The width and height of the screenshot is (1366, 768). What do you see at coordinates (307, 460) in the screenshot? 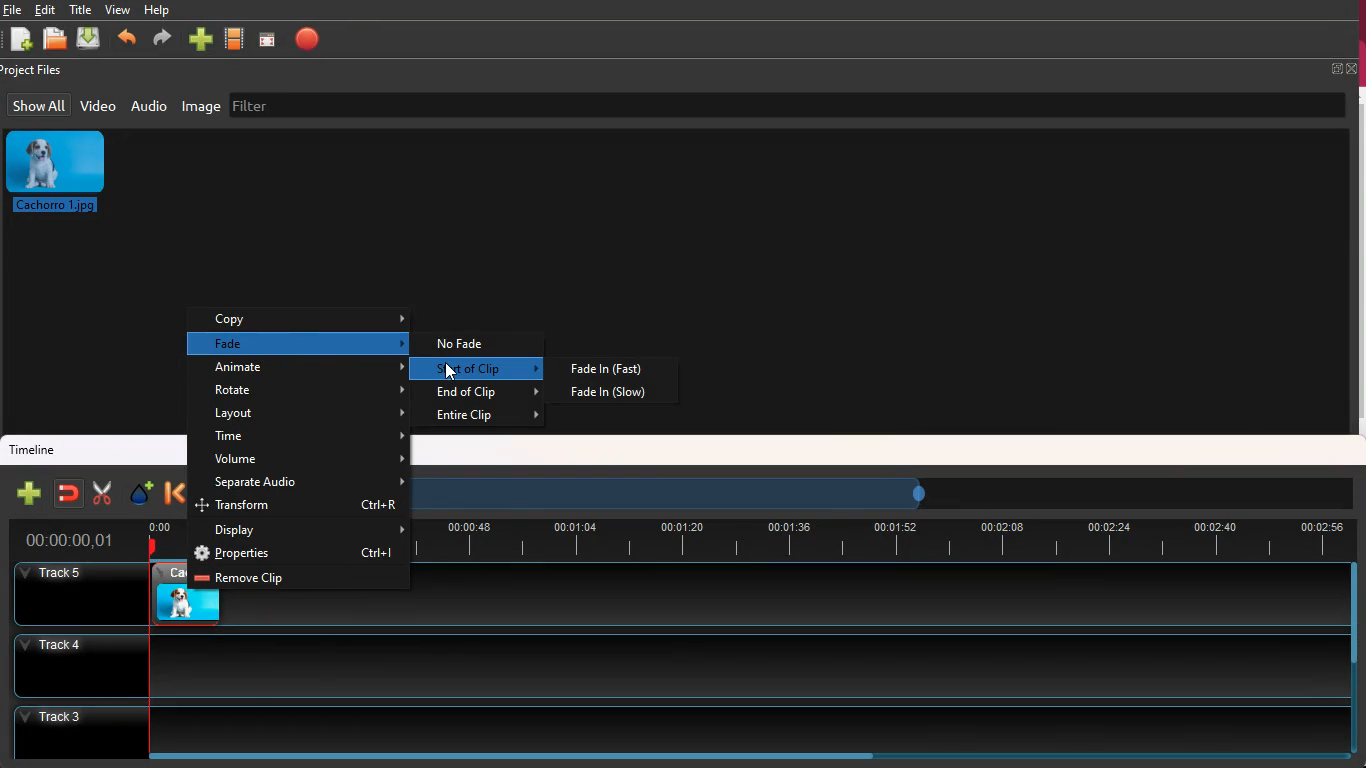
I see `volume` at bounding box center [307, 460].